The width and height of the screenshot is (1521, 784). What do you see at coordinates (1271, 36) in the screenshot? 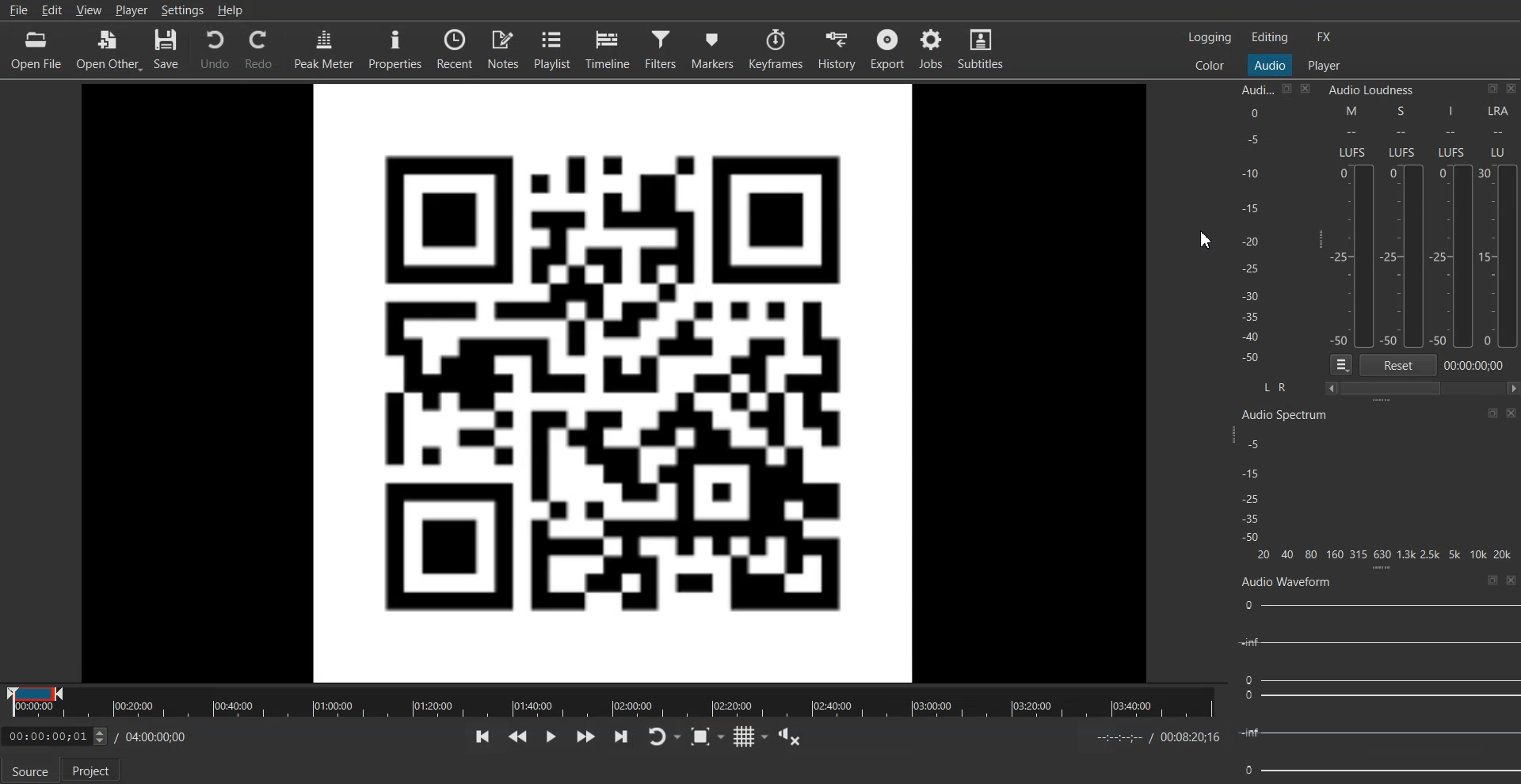
I see `Switch to the Editing layout` at bounding box center [1271, 36].